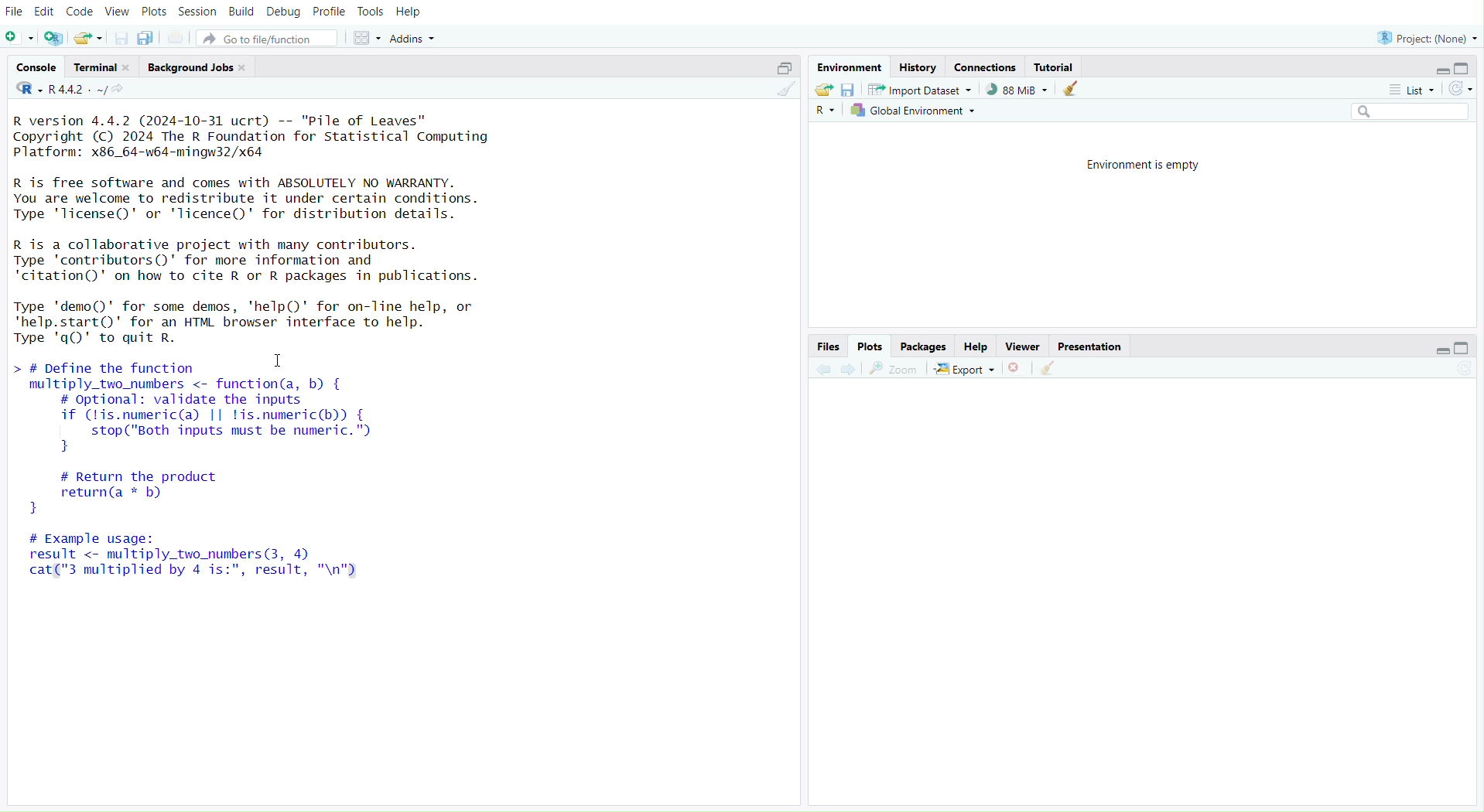  Describe the element at coordinates (283, 14) in the screenshot. I see `Debug` at that location.